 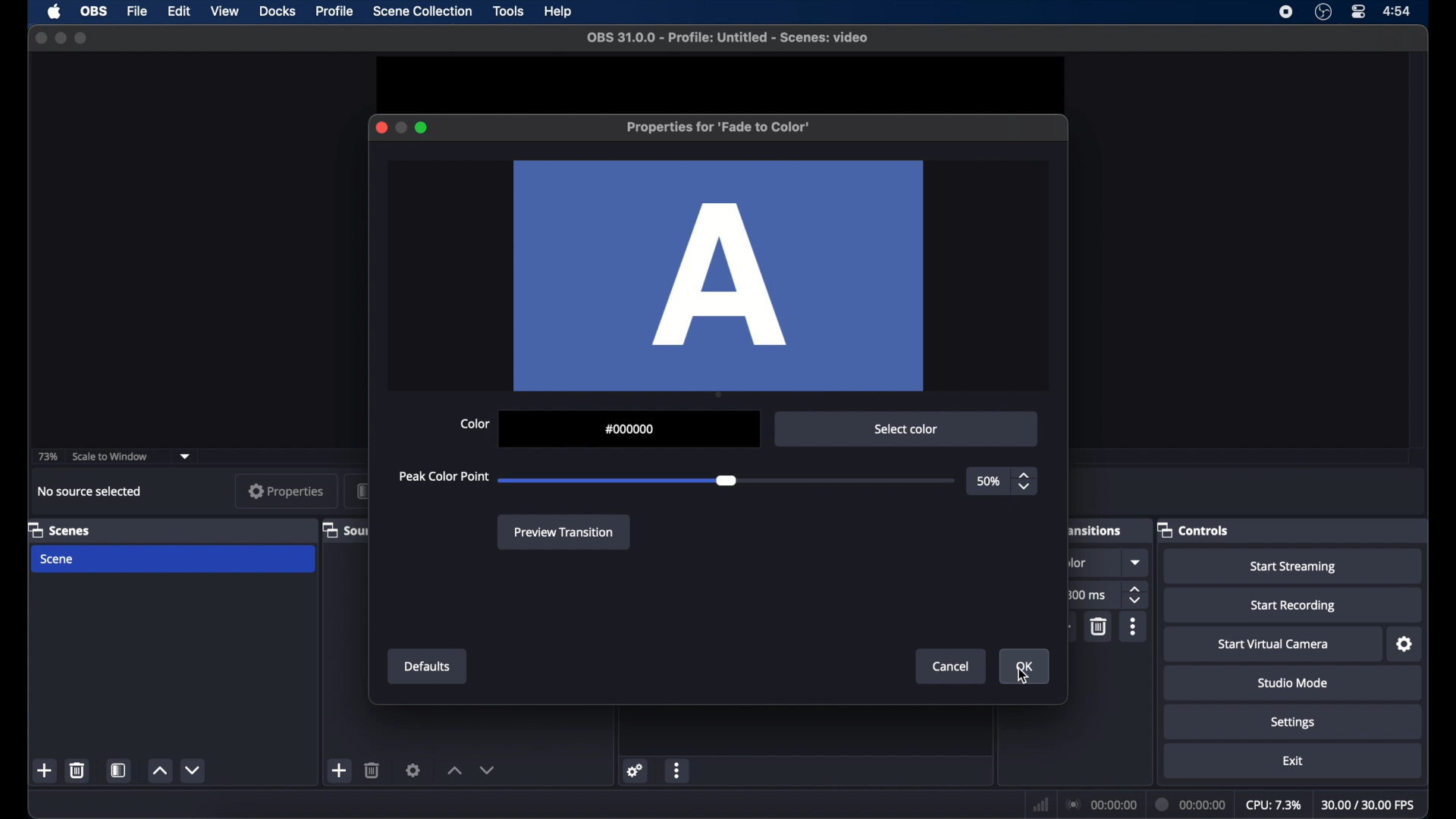 I want to click on preview transition, so click(x=565, y=532).